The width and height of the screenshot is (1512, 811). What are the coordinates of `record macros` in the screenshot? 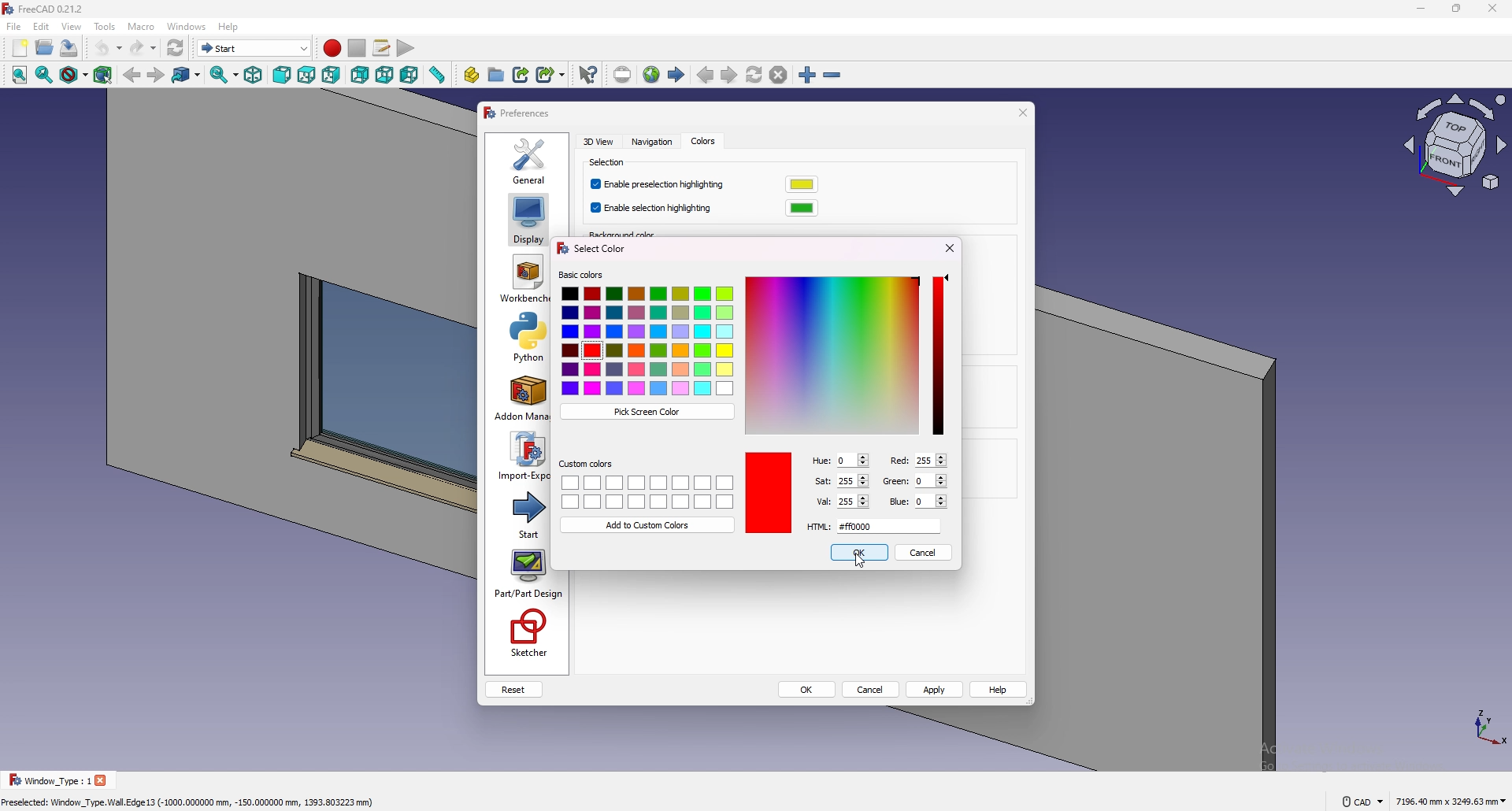 It's located at (332, 48).